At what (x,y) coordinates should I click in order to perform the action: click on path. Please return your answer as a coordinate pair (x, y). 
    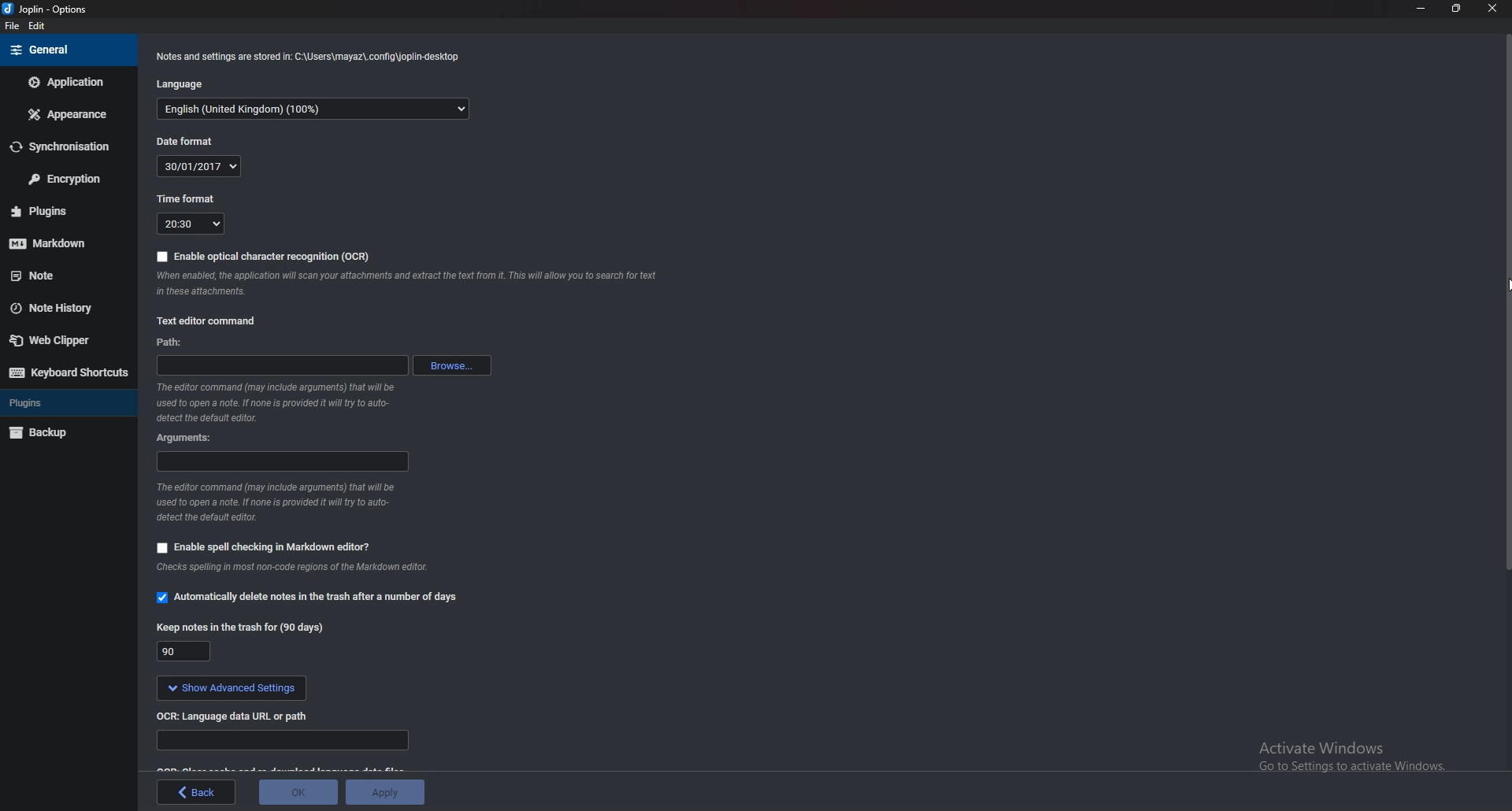
    Looking at the image, I should click on (174, 343).